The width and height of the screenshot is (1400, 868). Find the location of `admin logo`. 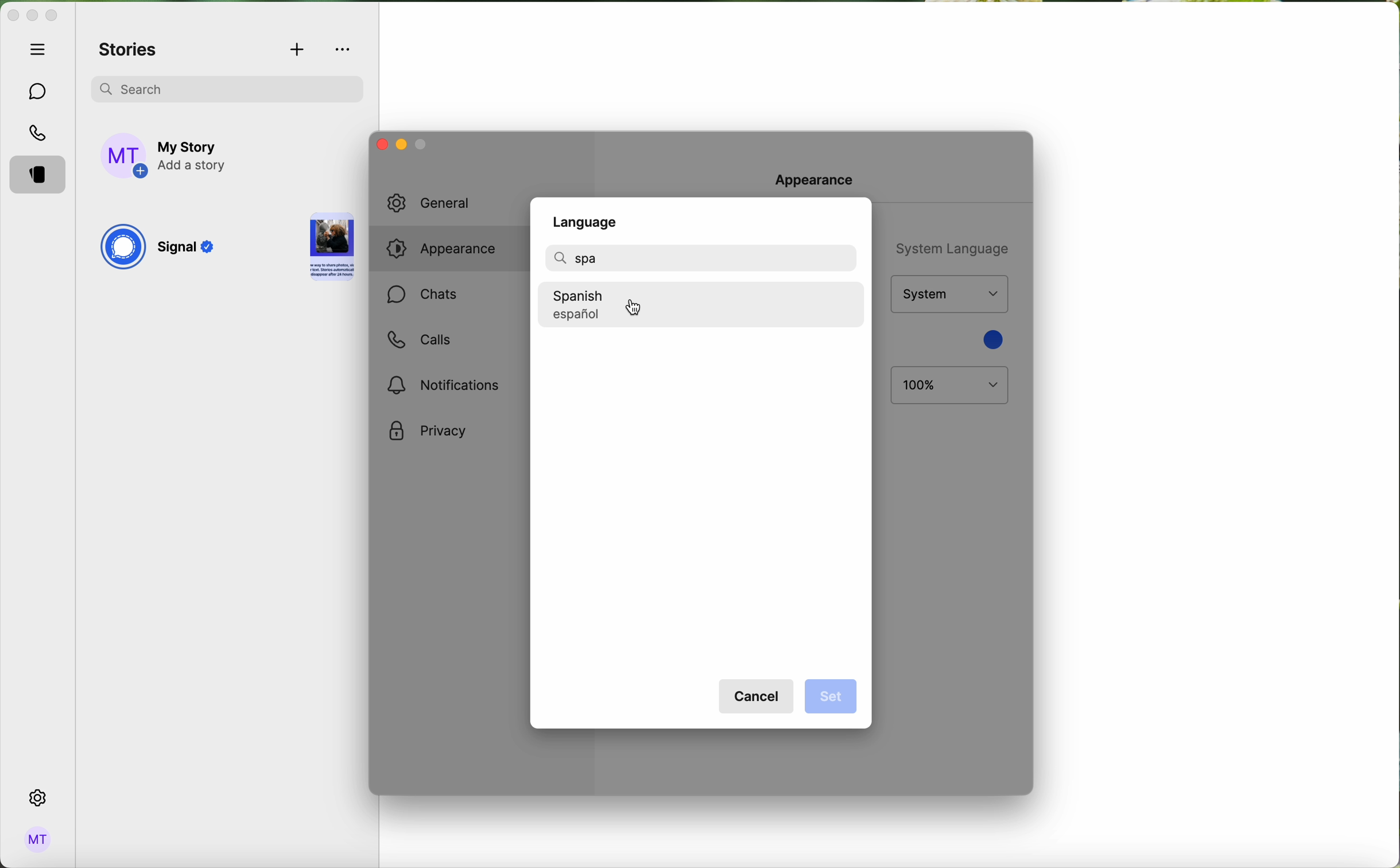

admin logo is located at coordinates (36, 840).